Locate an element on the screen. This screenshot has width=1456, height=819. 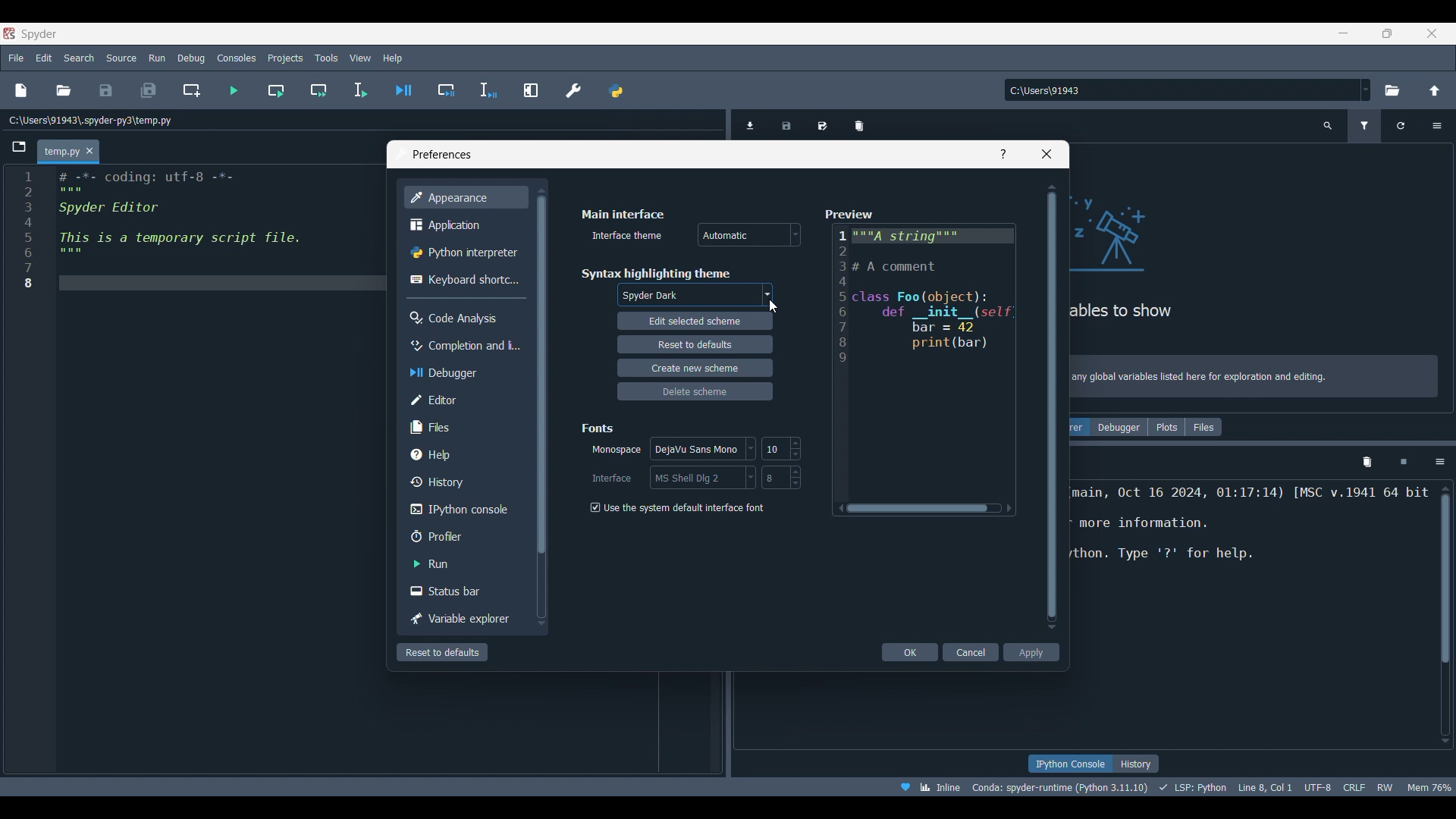
Window title is located at coordinates (442, 155).